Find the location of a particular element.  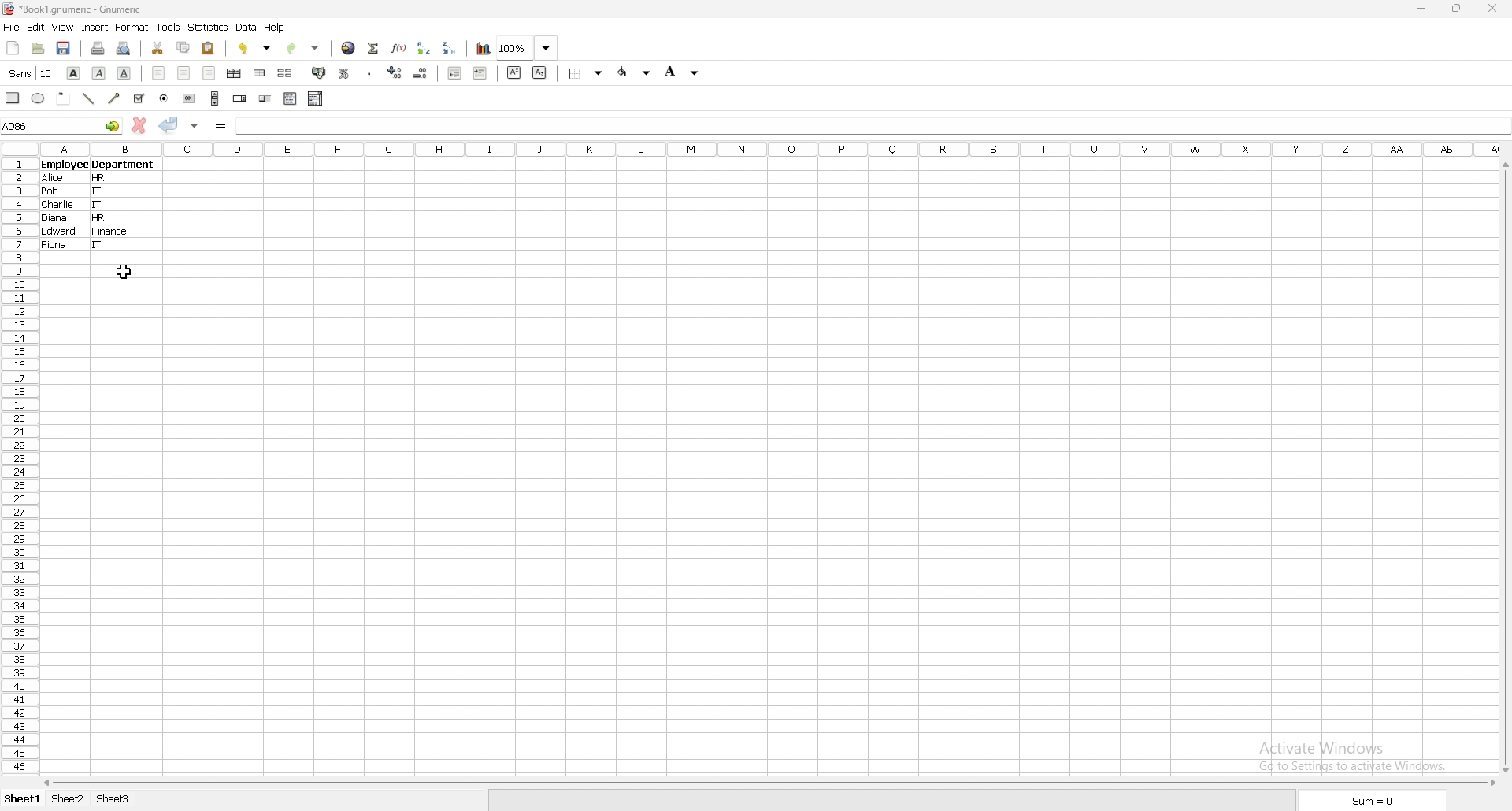

minimize is located at coordinates (1421, 9).